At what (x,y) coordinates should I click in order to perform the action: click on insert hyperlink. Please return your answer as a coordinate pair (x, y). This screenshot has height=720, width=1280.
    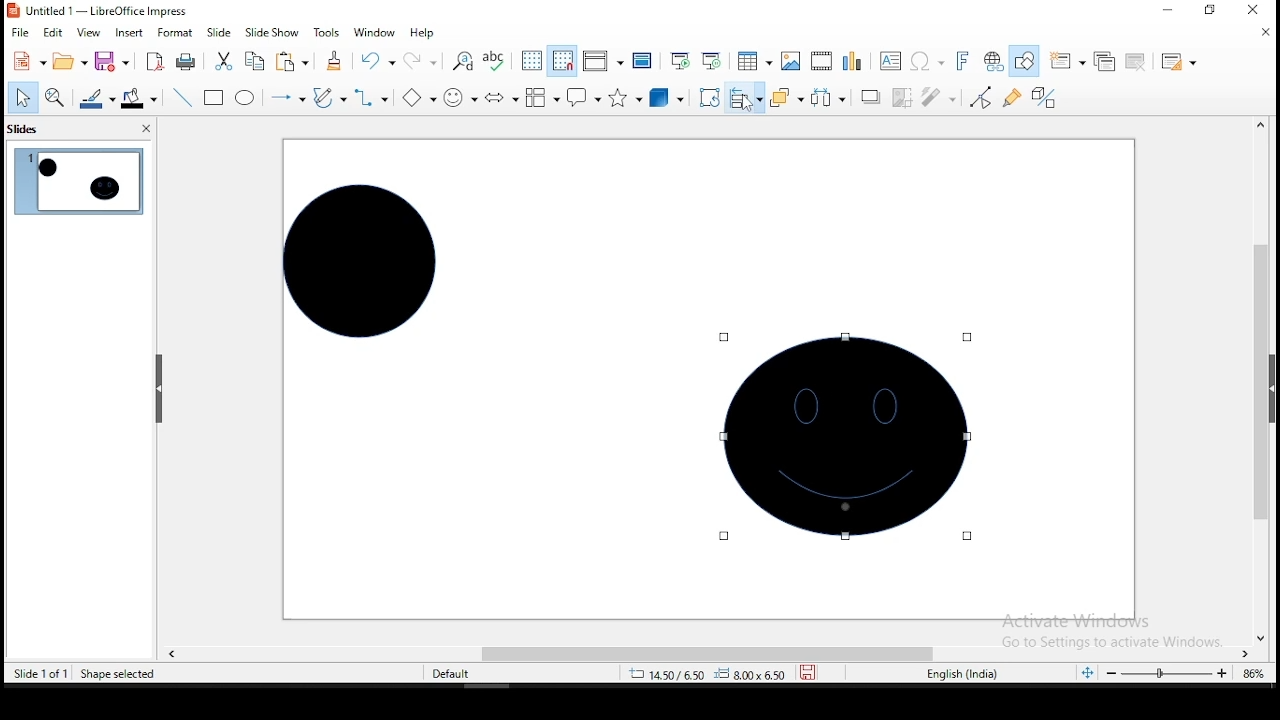
    Looking at the image, I should click on (992, 62).